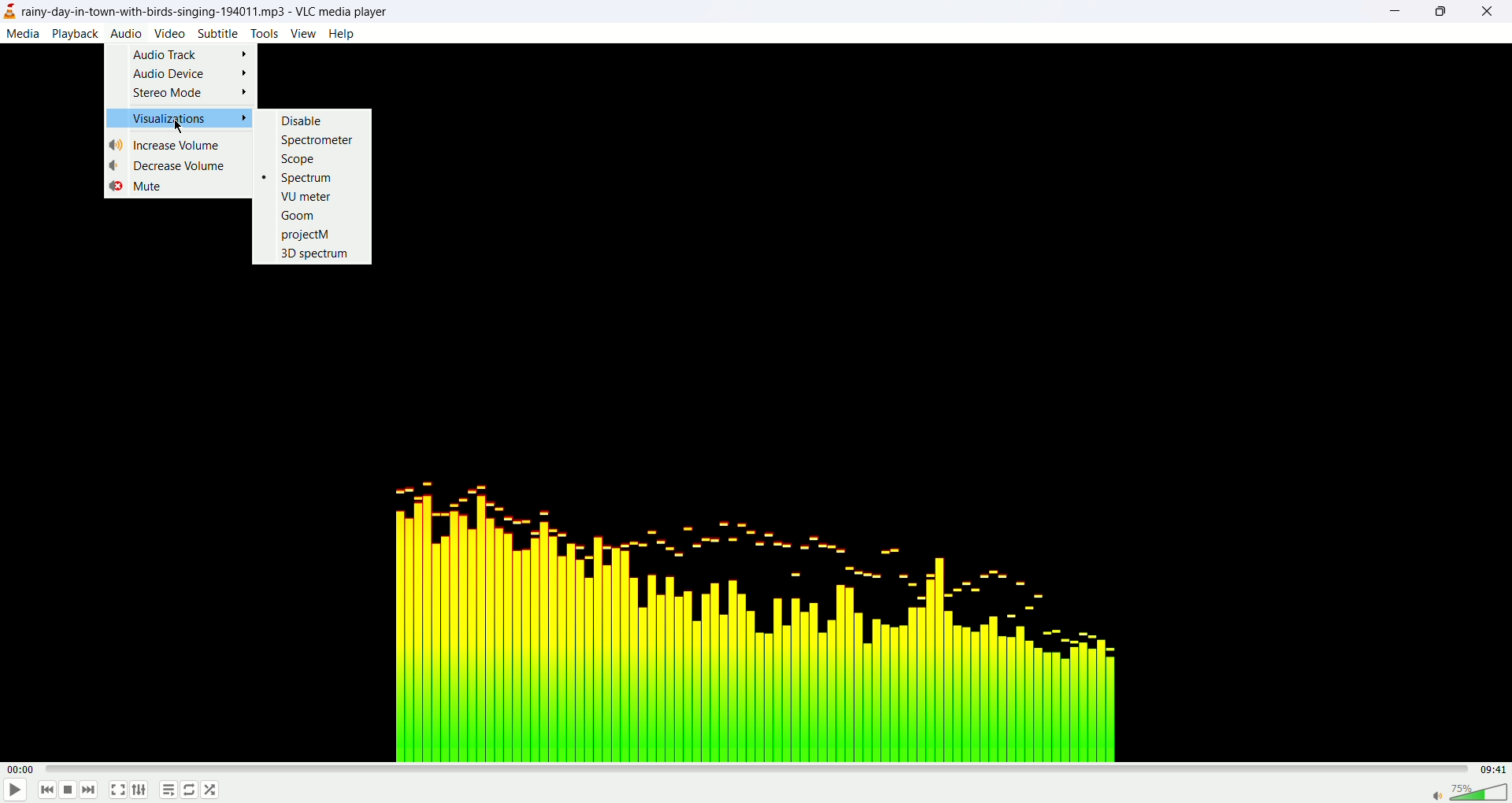 This screenshot has width=1512, height=803. What do you see at coordinates (125, 31) in the screenshot?
I see `audio` at bounding box center [125, 31].